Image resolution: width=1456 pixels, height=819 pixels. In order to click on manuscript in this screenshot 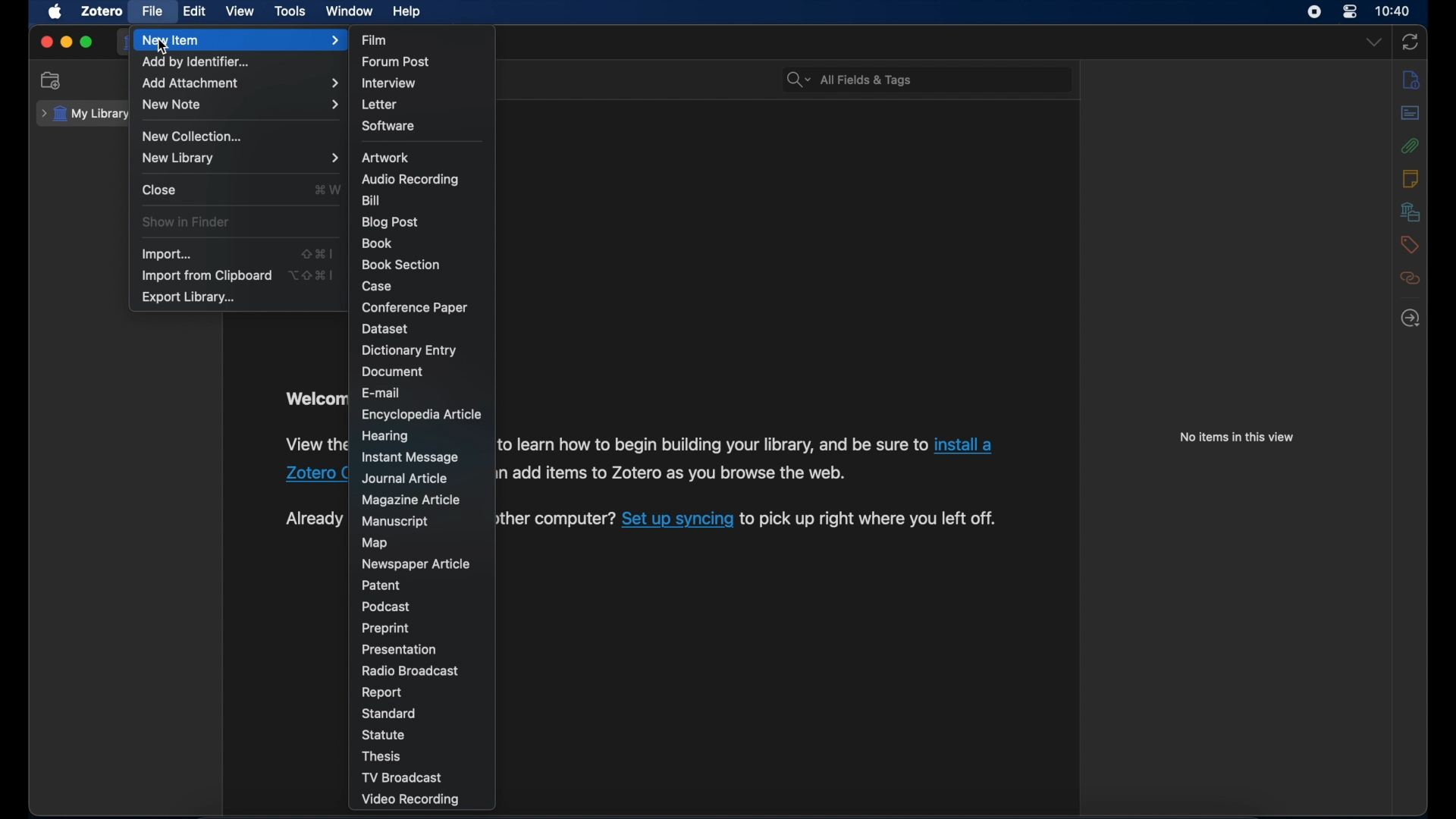, I will do `click(394, 522)`.